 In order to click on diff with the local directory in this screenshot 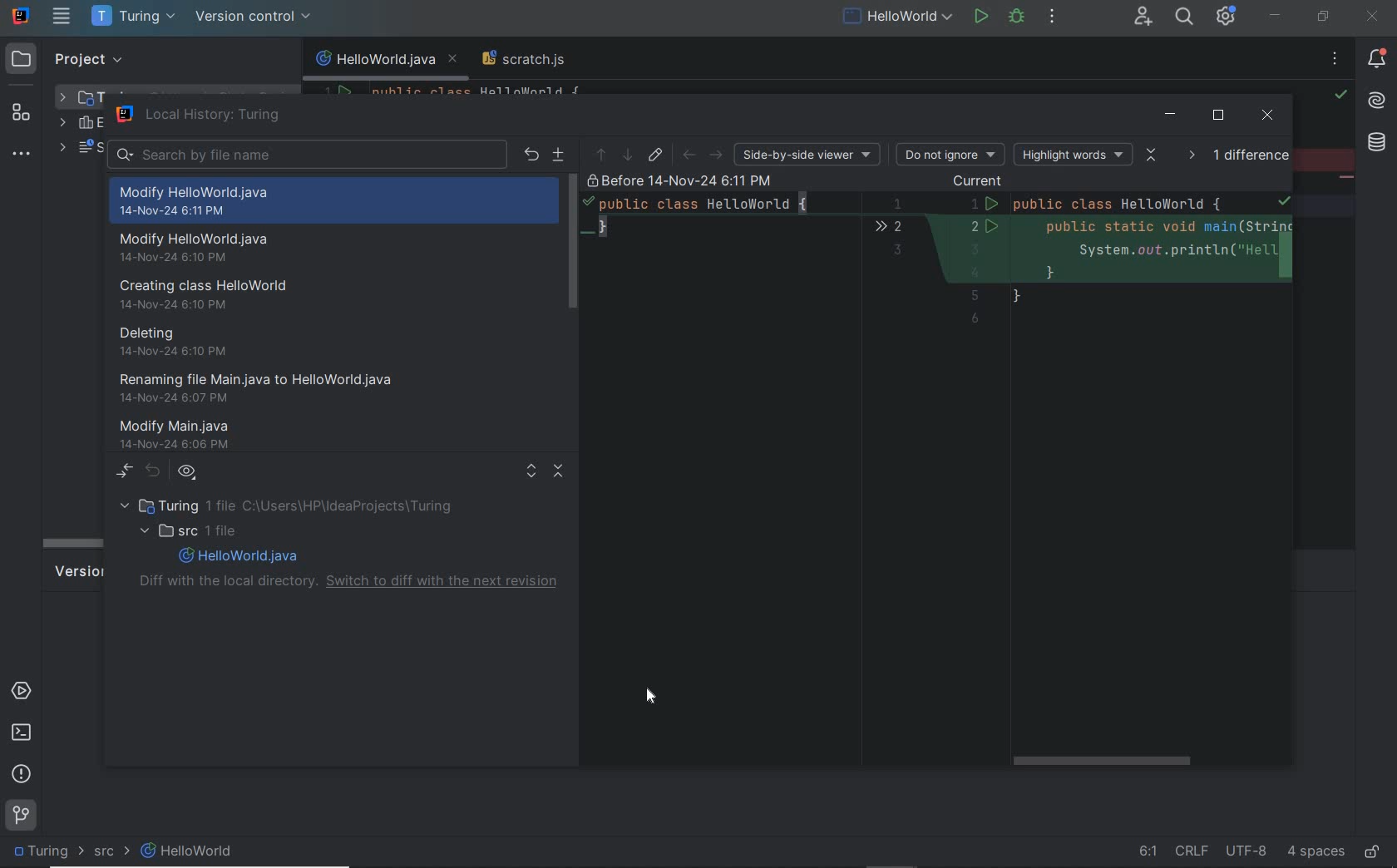, I will do `click(344, 583)`.